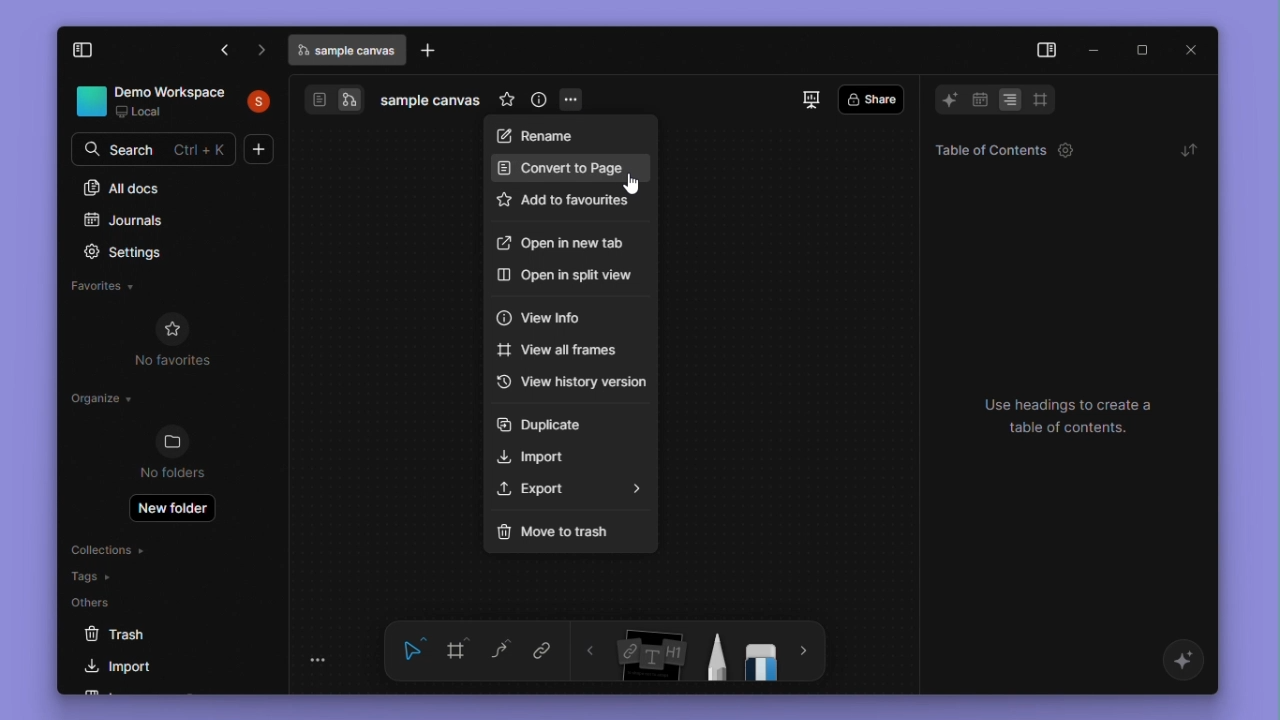 The image size is (1280, 720). What do you see at coordinates (592, 653) in the screenshot?
I see `back` at bounding box center [592, 653].